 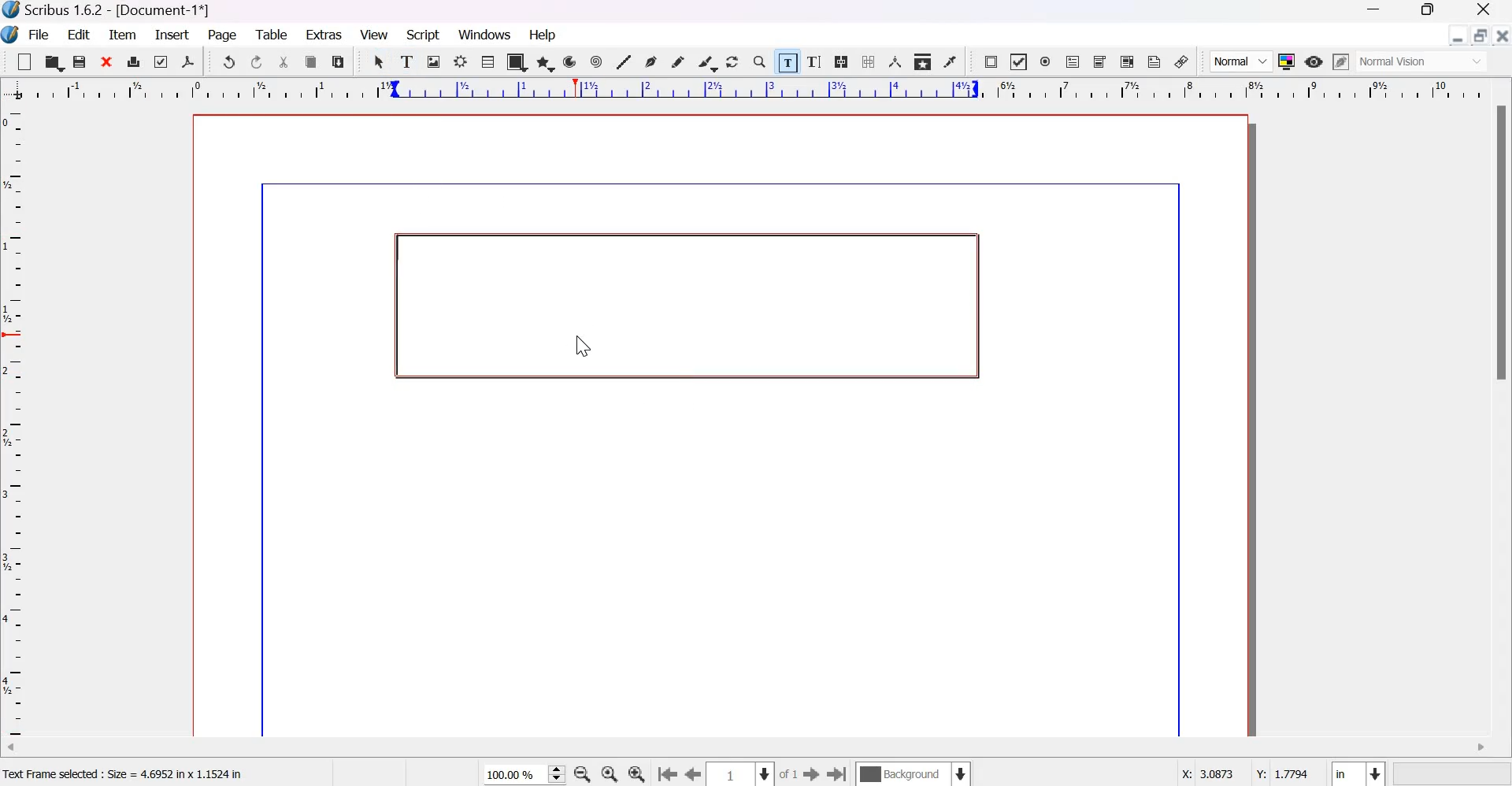 I want to click on Scribus 1.6.2 - [Document-1], so click(x=110, y=11).